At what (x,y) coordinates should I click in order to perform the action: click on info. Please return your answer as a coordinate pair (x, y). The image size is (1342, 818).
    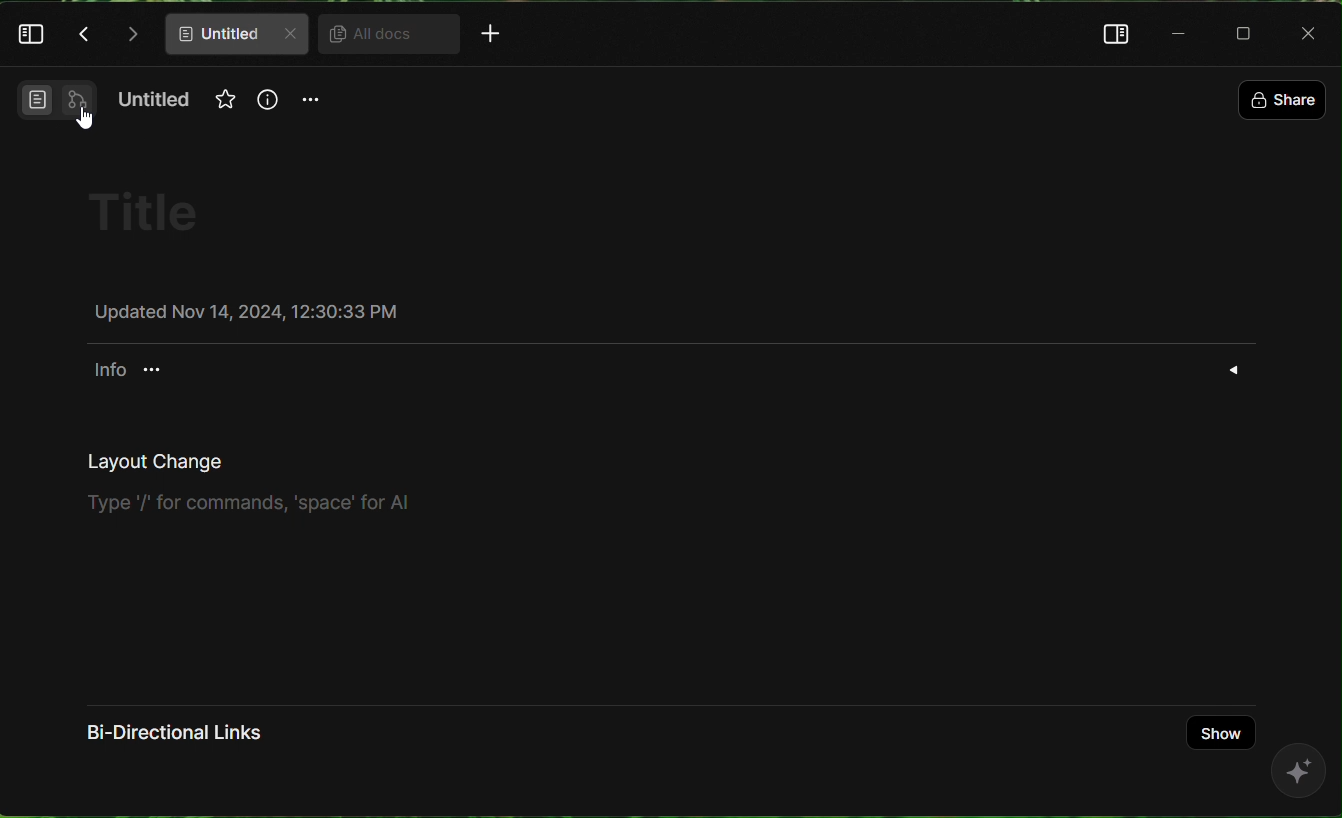
    Looking at the image, I should click on (266, 109).